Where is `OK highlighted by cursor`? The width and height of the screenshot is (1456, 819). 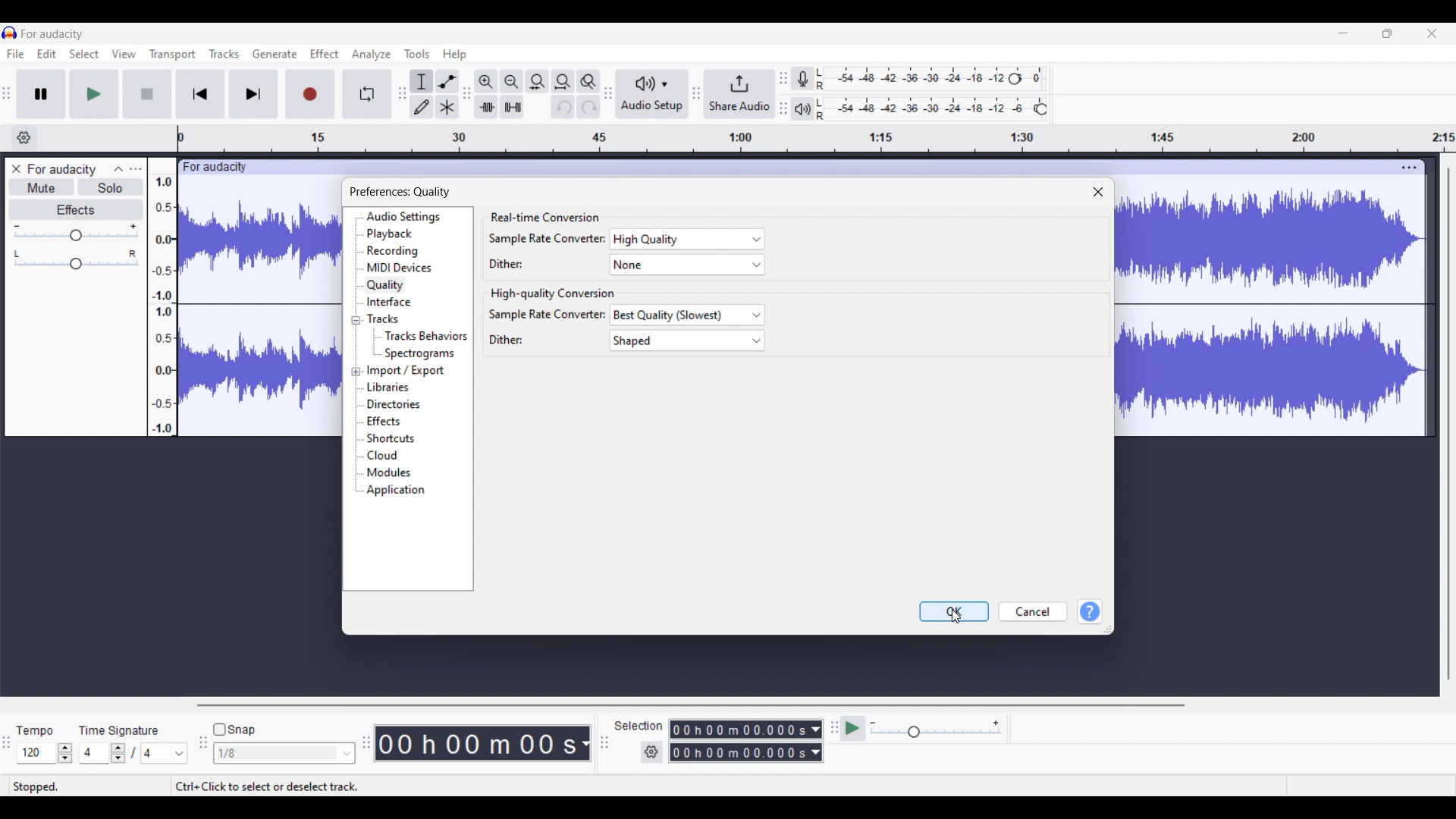 OK highlighted by cursor is located at coordinates (954, 611).